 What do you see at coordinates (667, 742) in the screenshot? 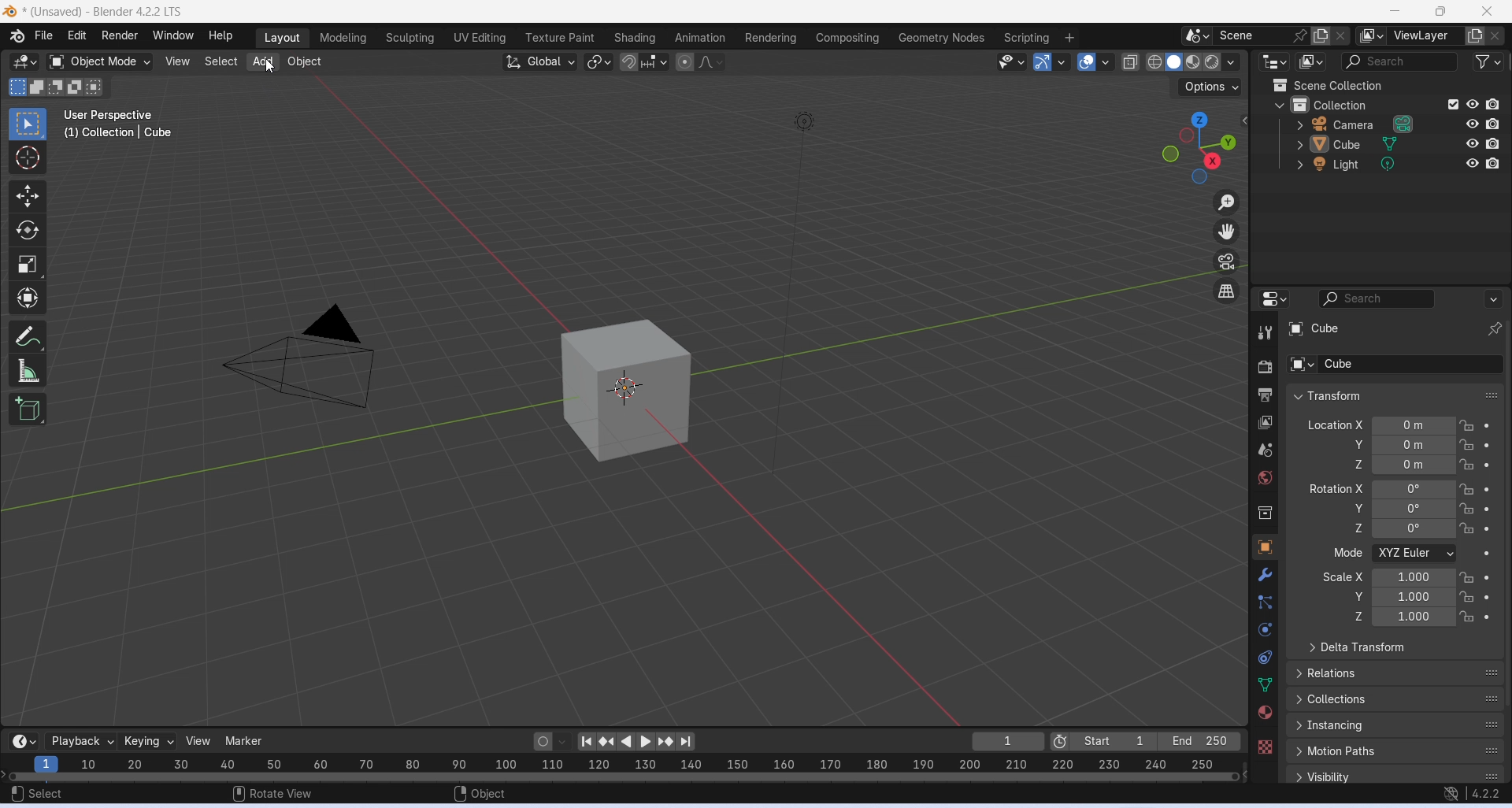
I see `jump to keyframe` at bounding box center [667, 742].